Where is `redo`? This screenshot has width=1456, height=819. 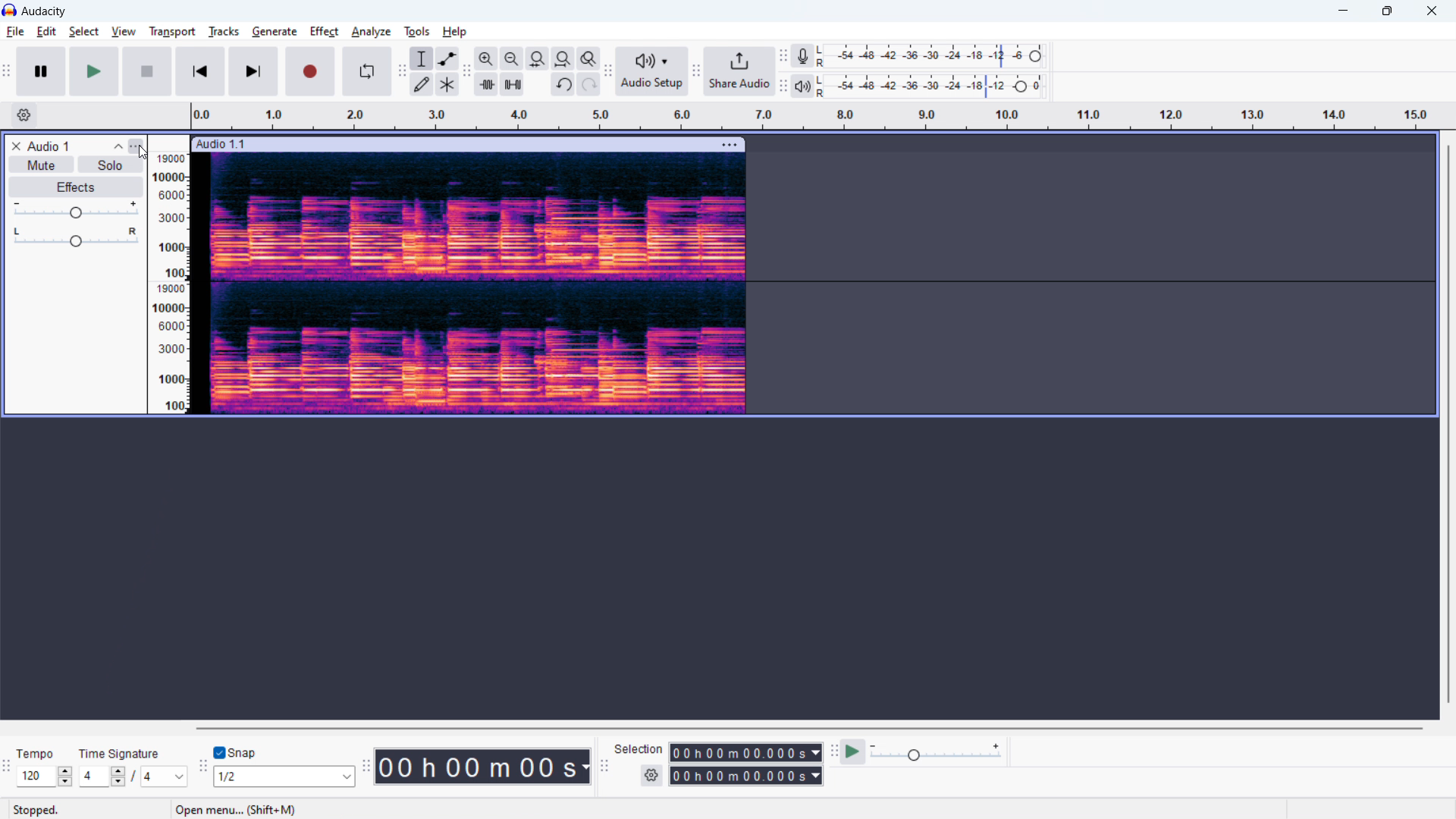 redo is located at coordinates (588, 84).